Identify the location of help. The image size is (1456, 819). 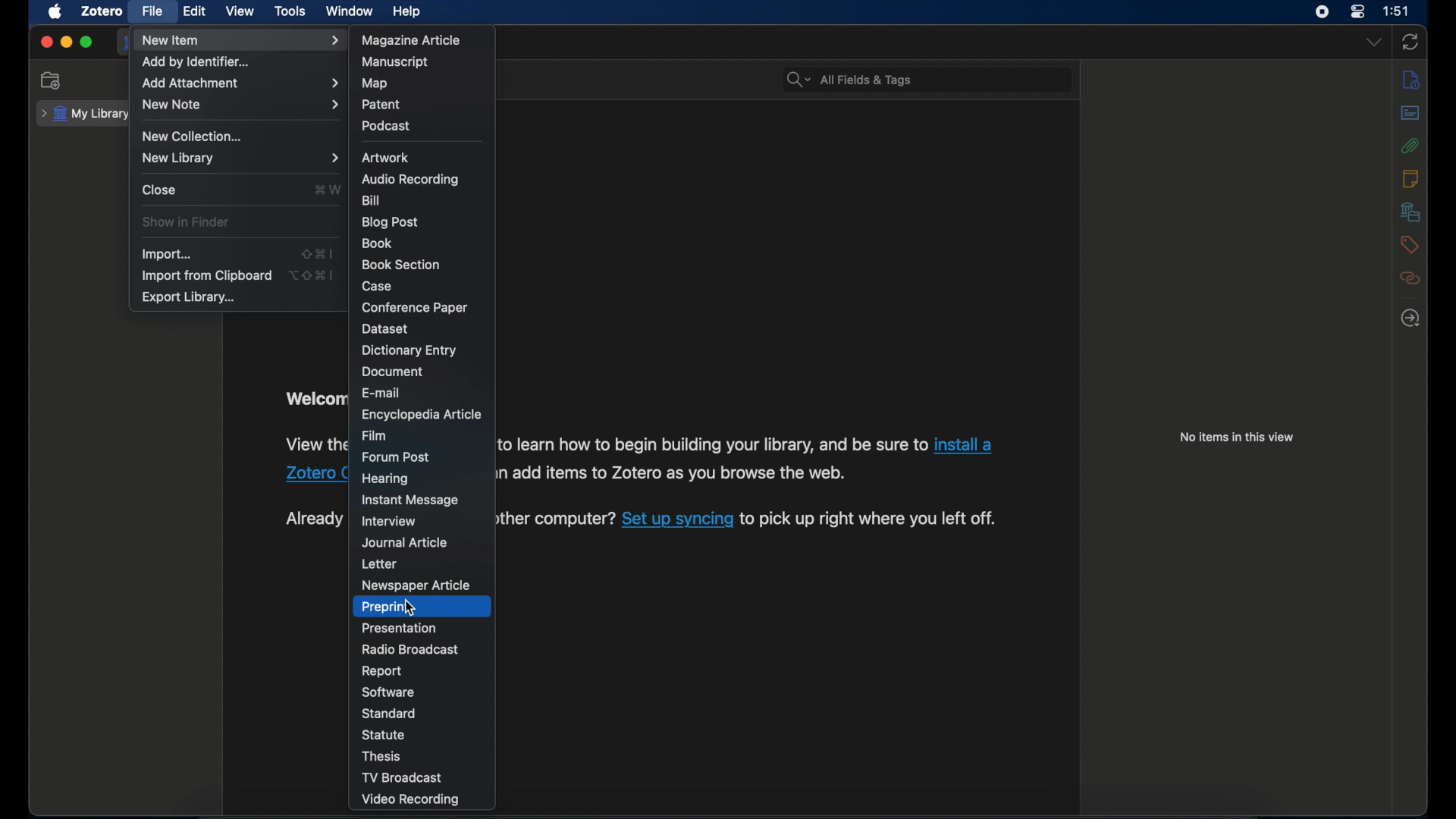
(408, 12).